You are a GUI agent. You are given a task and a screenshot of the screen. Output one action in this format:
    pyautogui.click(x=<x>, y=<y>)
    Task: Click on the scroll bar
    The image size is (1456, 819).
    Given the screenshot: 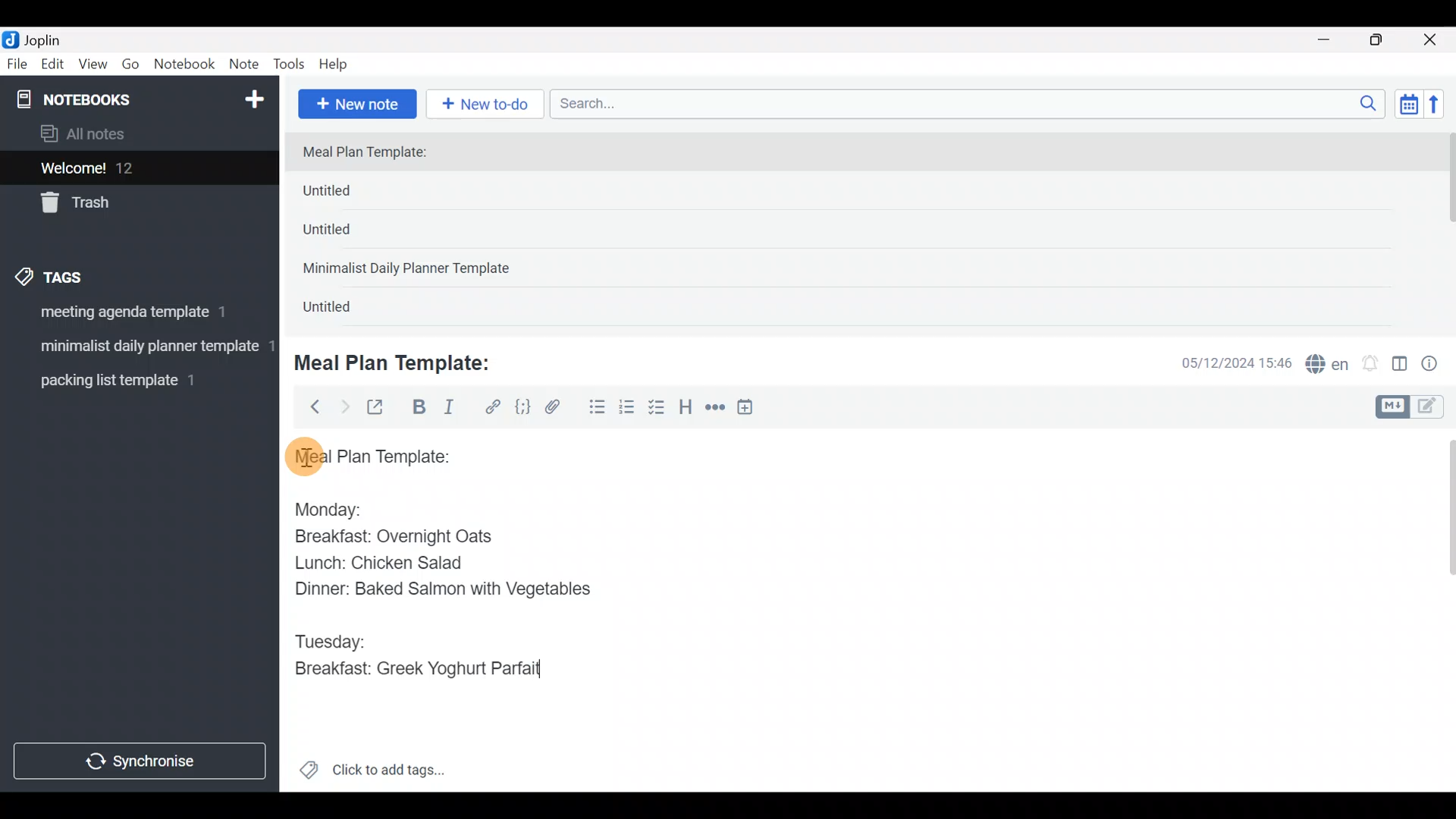 What is the action you would take?
    pyautogui.click(x=1446, y=229)
    